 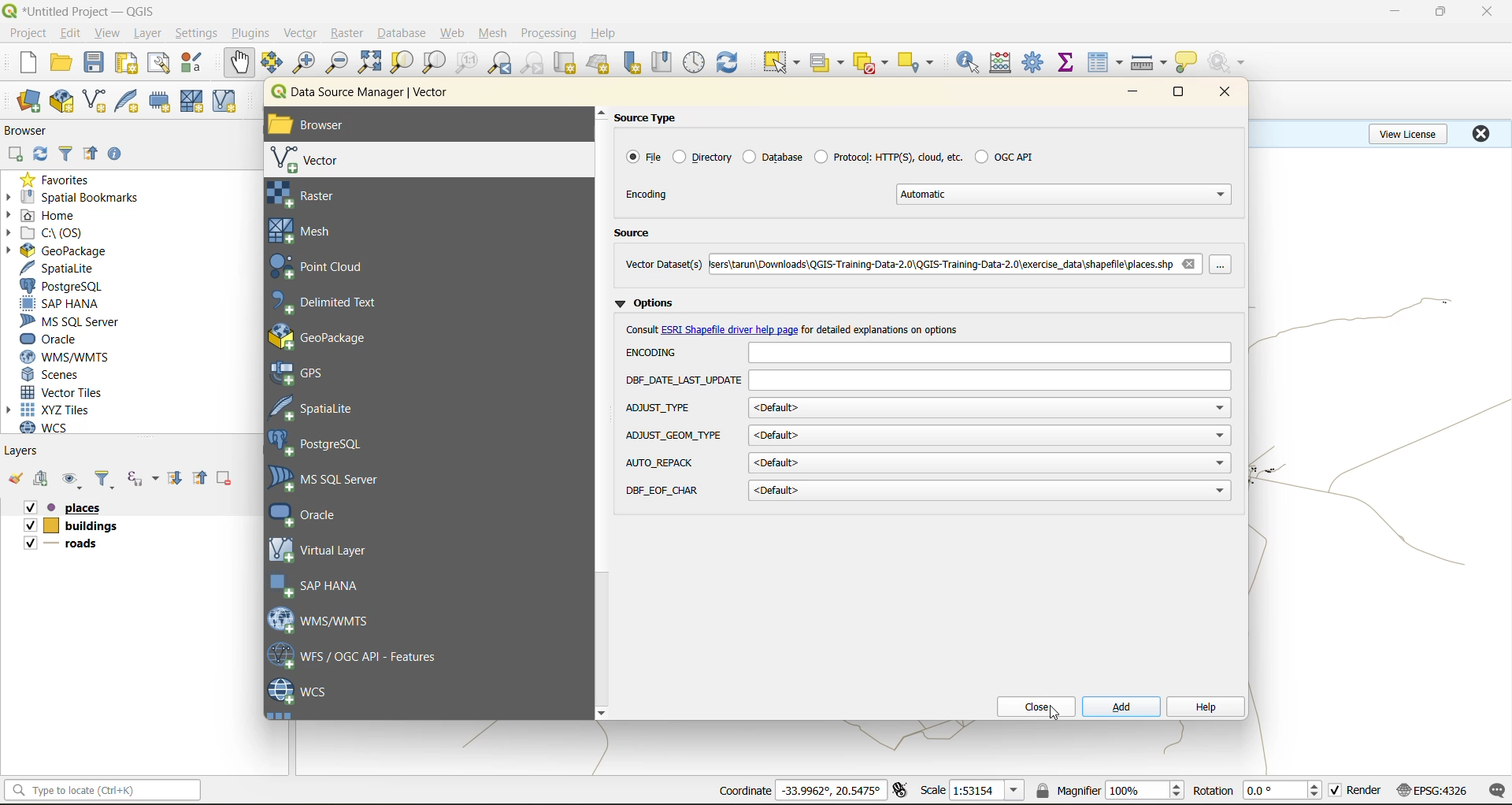 I want to click on spatialite, so click(x=65, y=269).